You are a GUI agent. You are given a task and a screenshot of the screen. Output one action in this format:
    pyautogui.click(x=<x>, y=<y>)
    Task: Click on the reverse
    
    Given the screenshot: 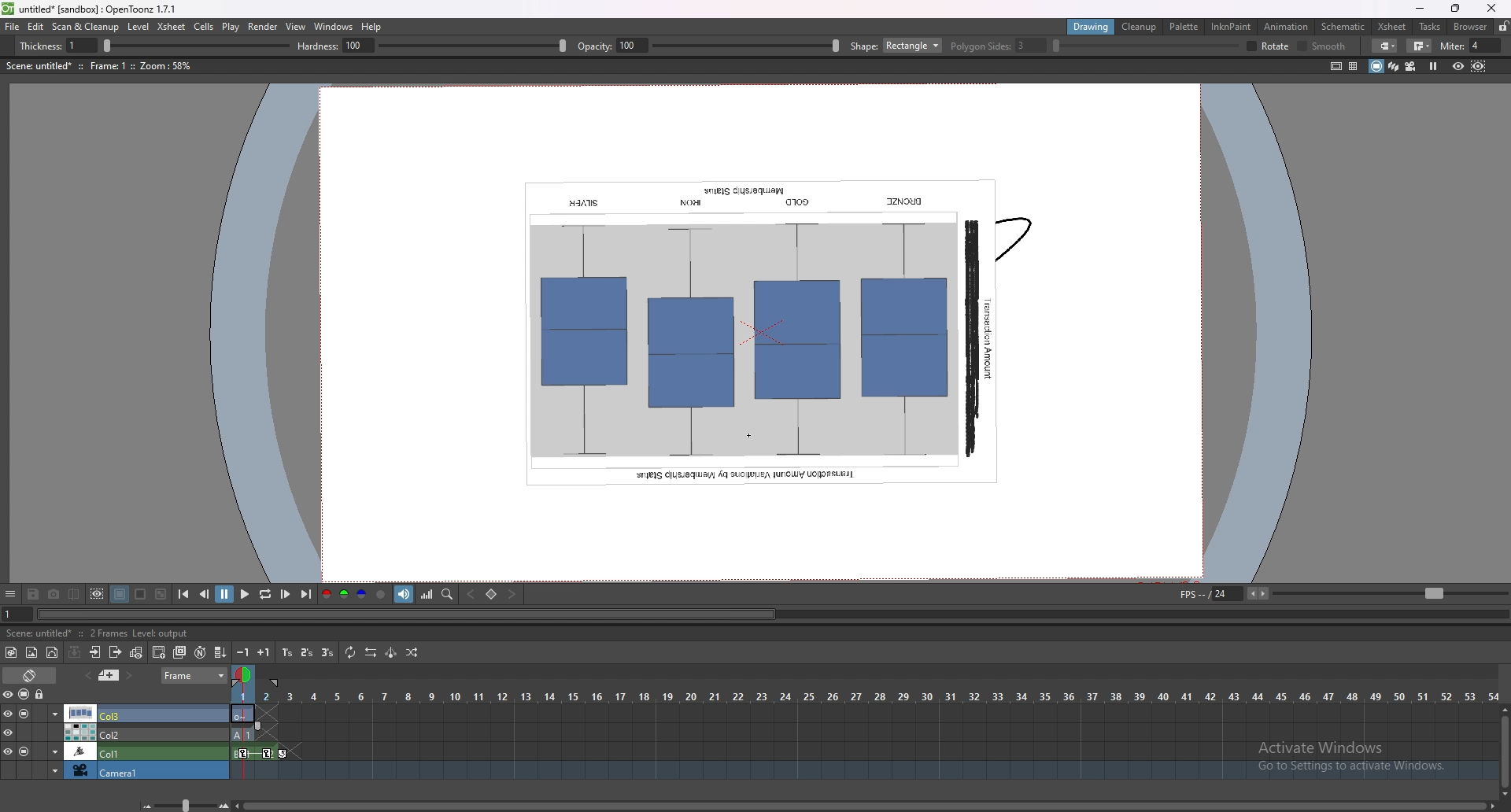 What is the action you would take?
    pyautogui.click(x=371, y=652)
    